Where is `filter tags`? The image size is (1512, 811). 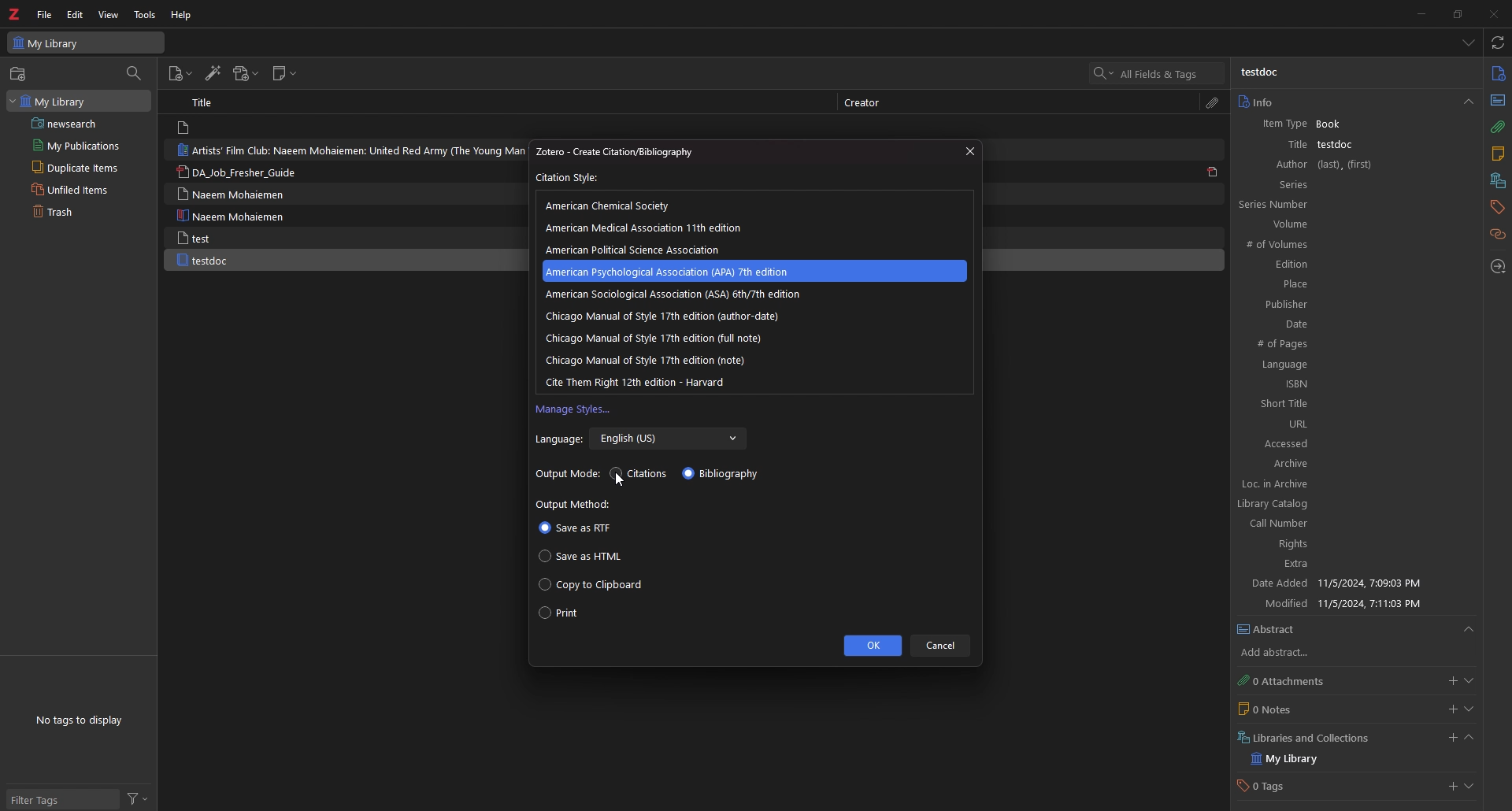
filter tags is located at coordinates (61, 801).